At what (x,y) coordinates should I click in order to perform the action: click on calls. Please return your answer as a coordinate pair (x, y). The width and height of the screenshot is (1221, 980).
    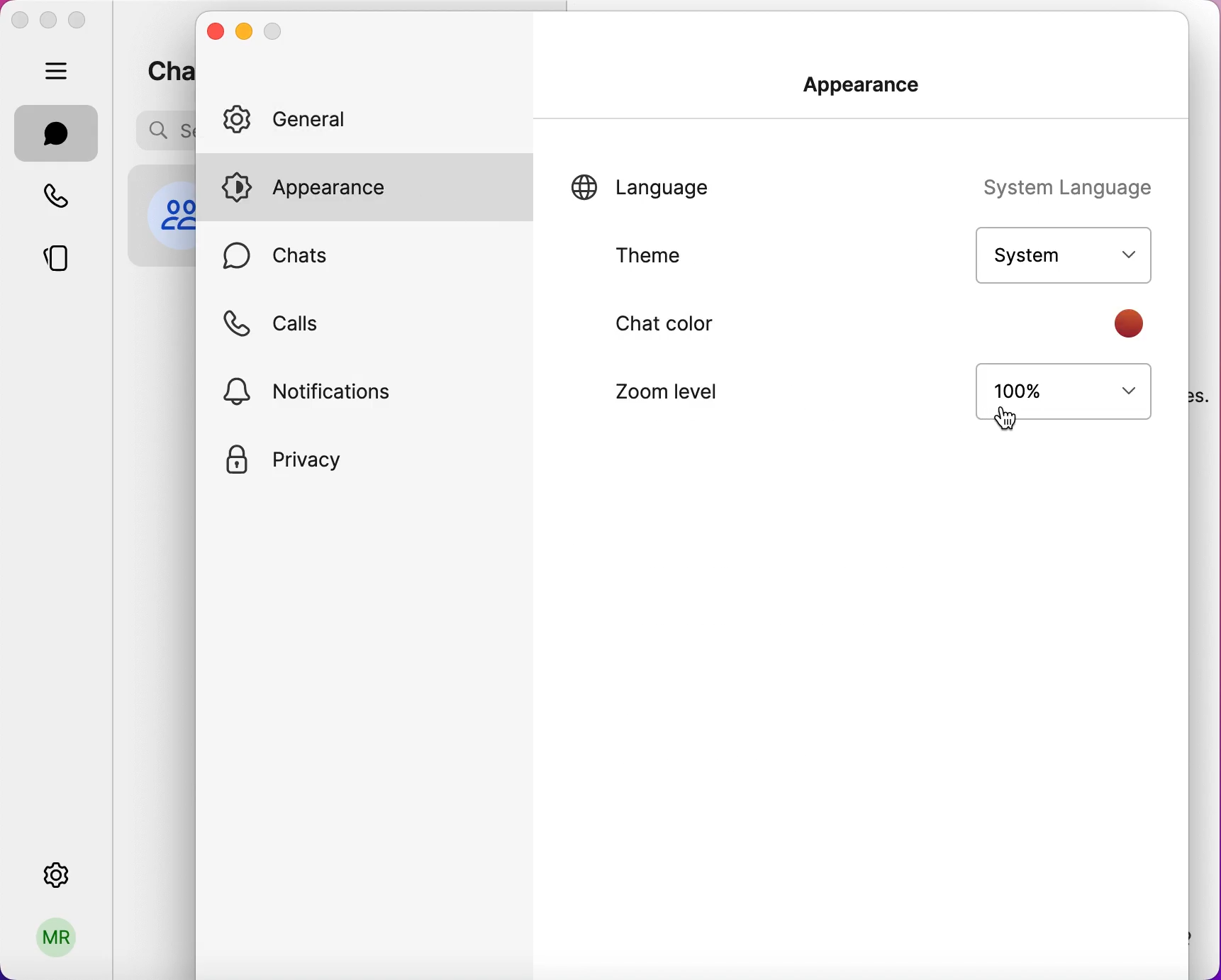
    Looking at the image, I should click on (55, 199).